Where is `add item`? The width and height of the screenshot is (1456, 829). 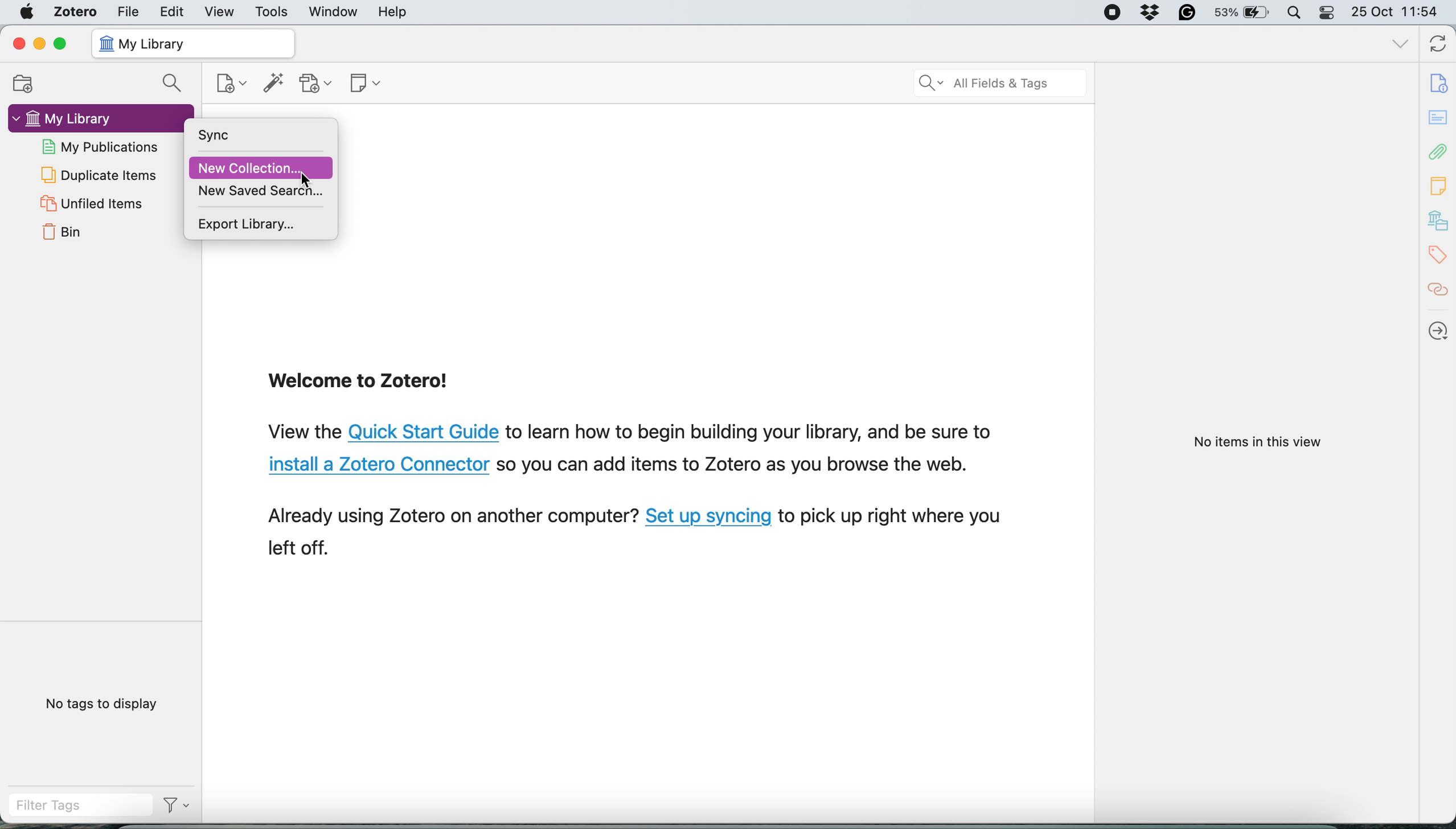
add item is located at coordinates (272, 83).